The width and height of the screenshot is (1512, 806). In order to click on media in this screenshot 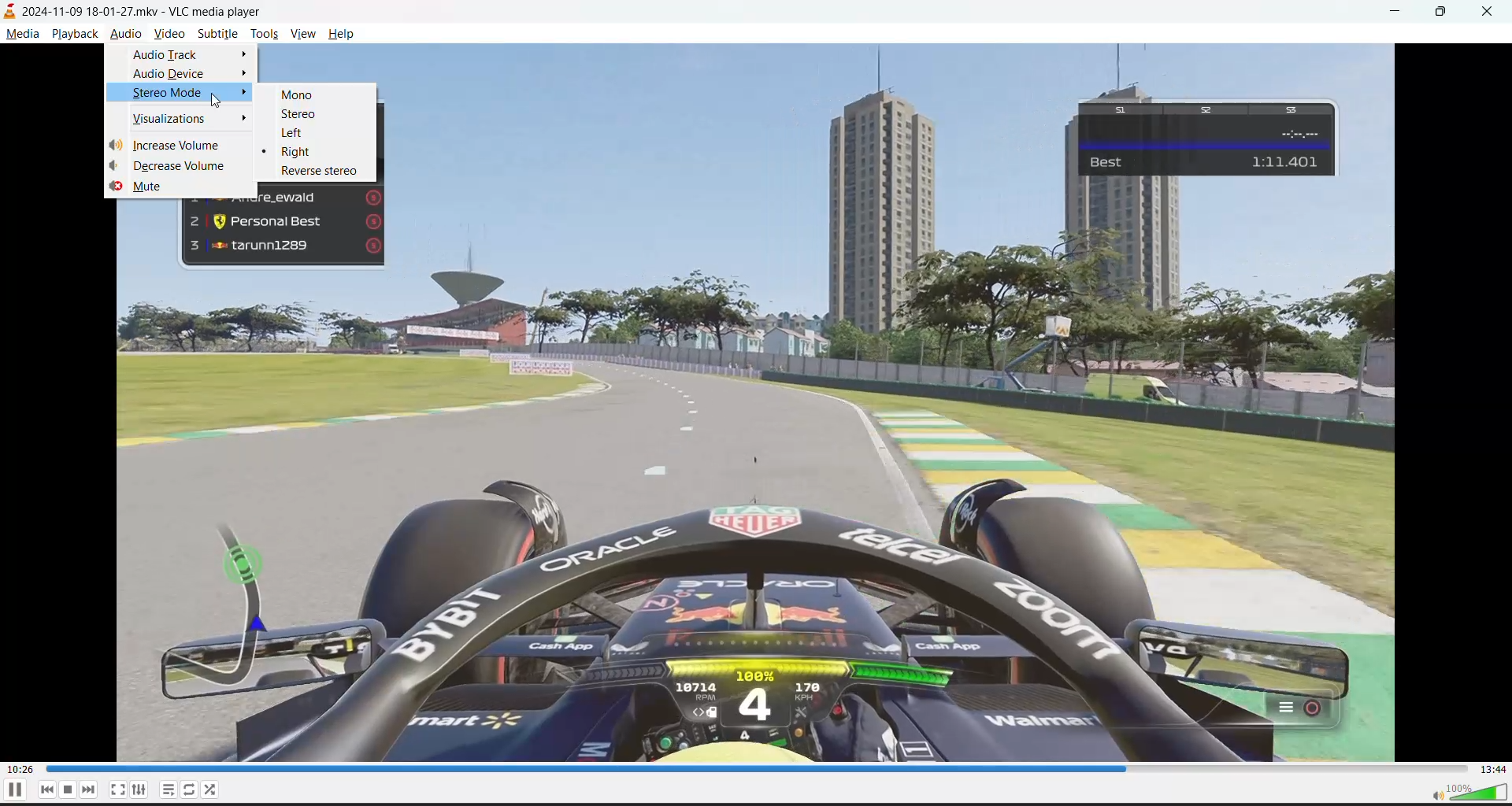, I will do `click(22, 35)`.